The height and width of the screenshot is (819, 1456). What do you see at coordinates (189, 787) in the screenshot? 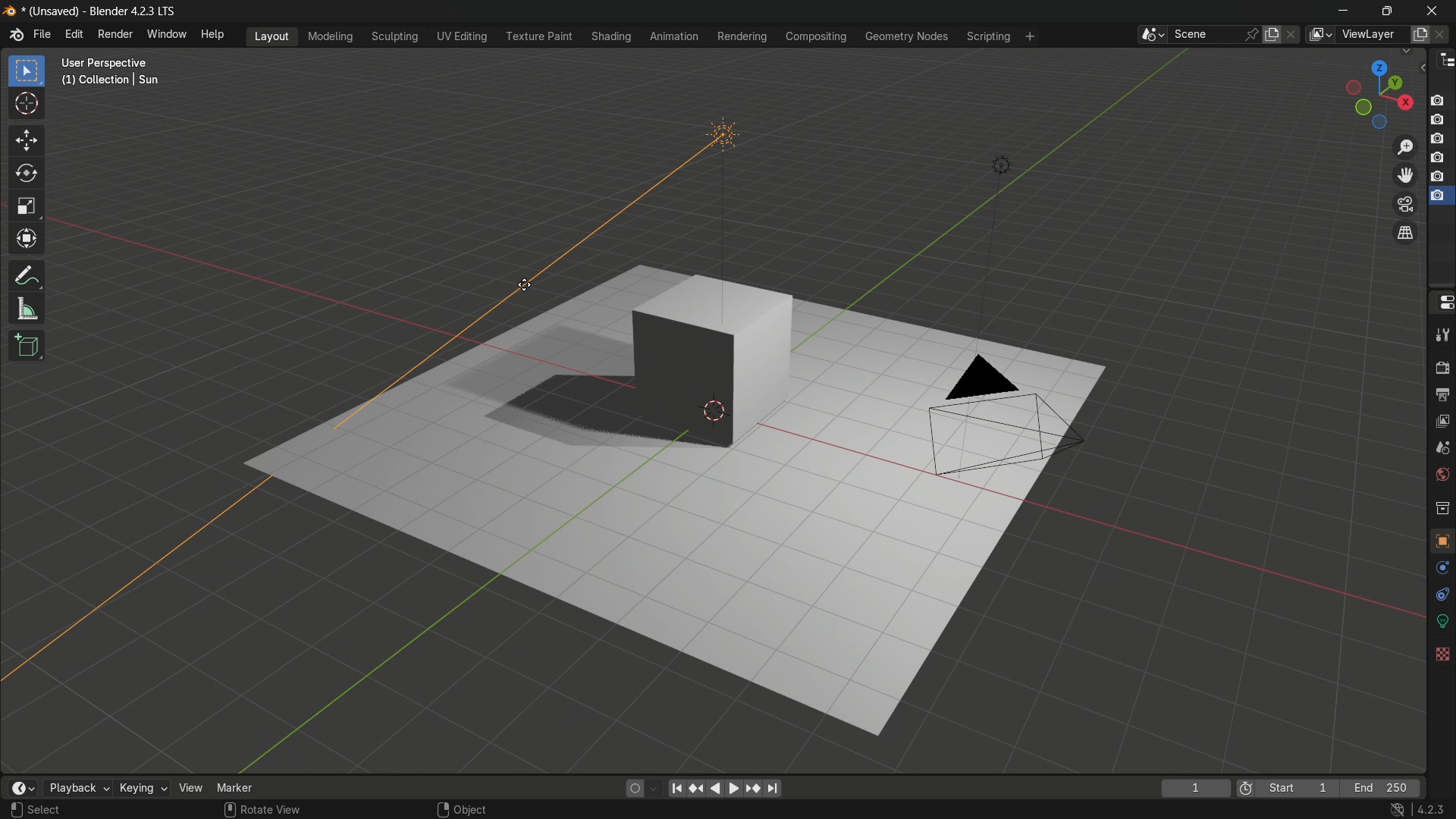
I see `view` at bounding box center [189, 787].